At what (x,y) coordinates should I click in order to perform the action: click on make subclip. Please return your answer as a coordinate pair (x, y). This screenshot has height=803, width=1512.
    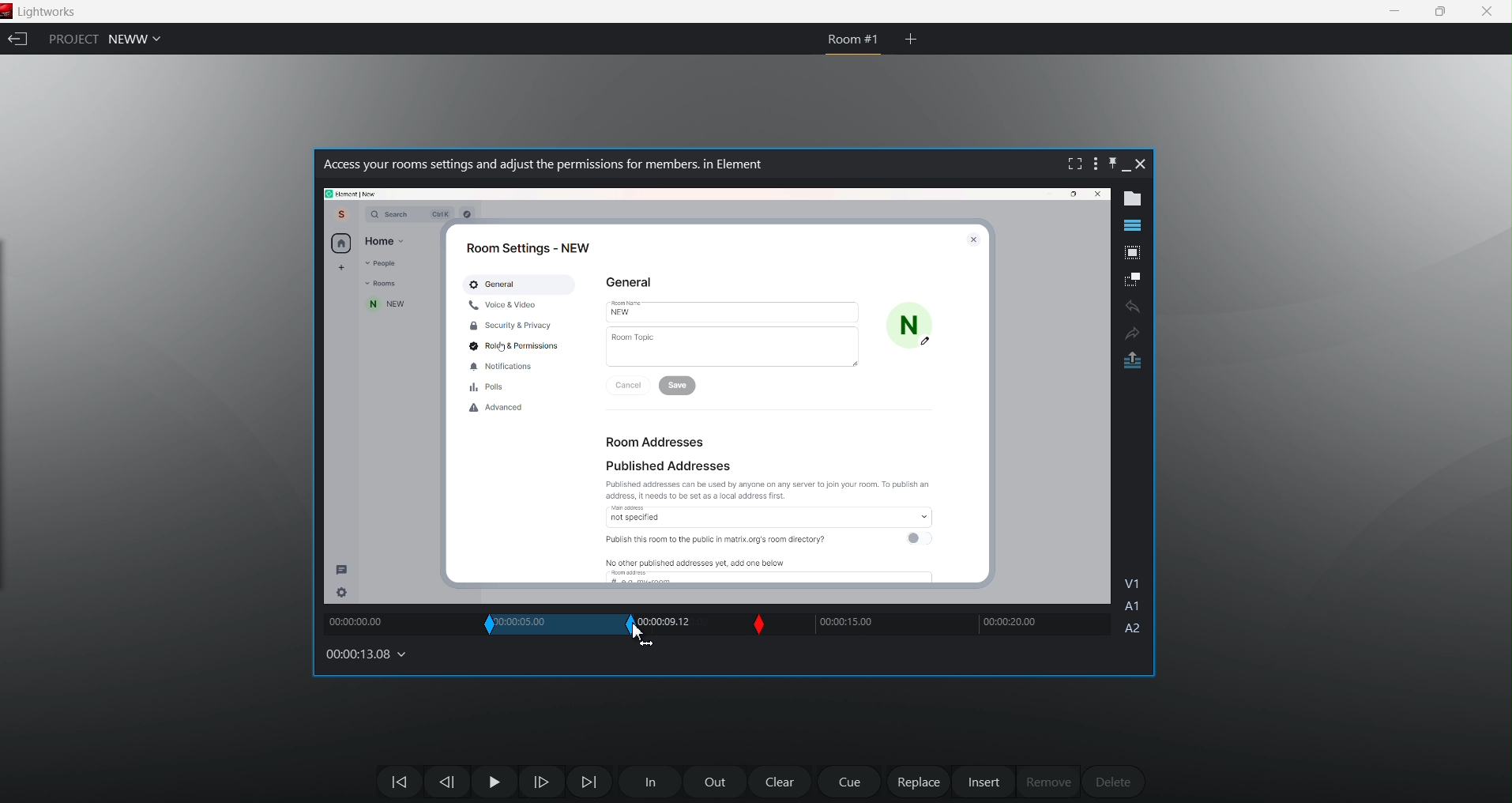
    Looking at the image, I should click on (1134, 278).